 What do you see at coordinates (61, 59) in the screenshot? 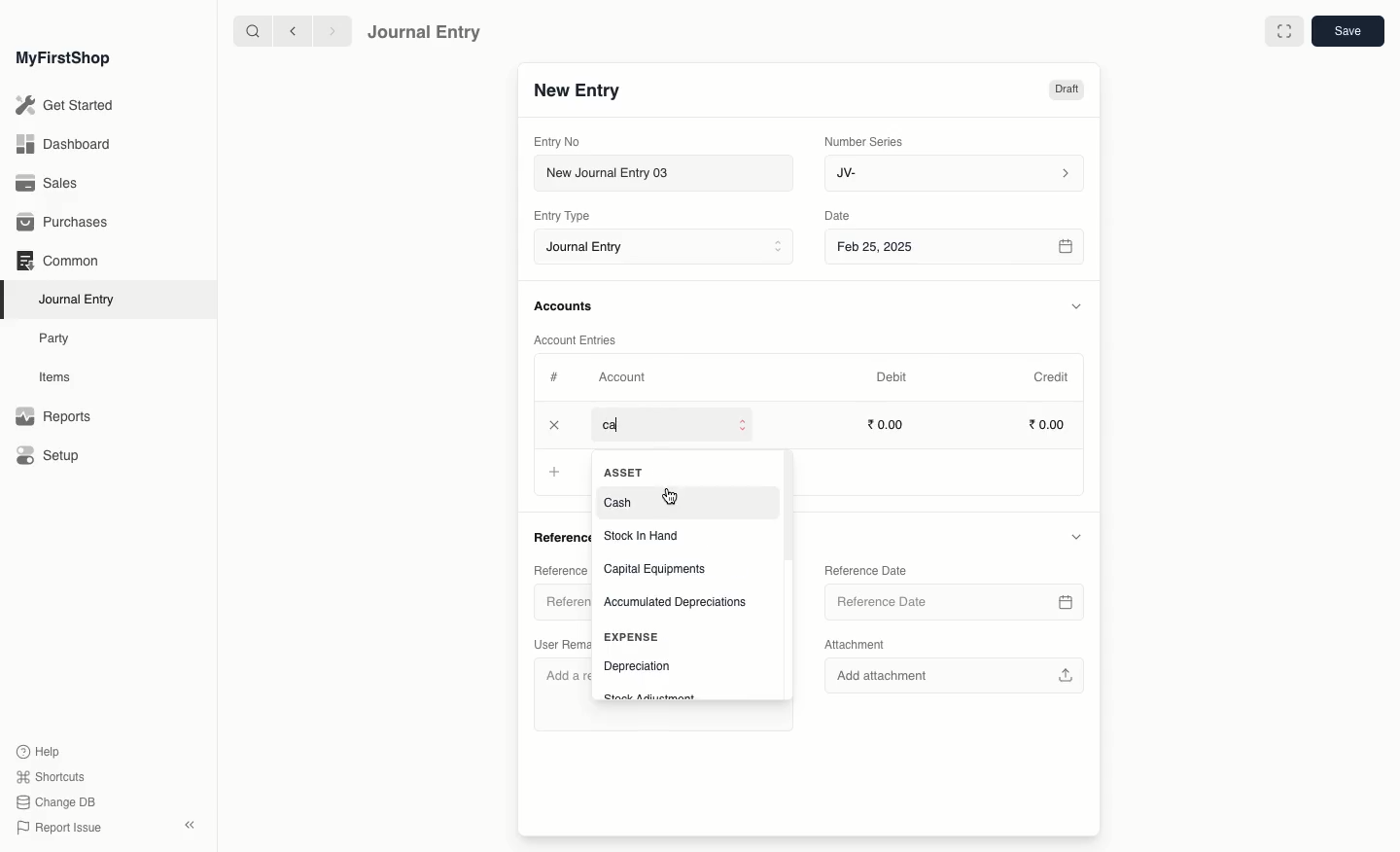
I see `MyFirstShop` at bounding box center [61, 59].